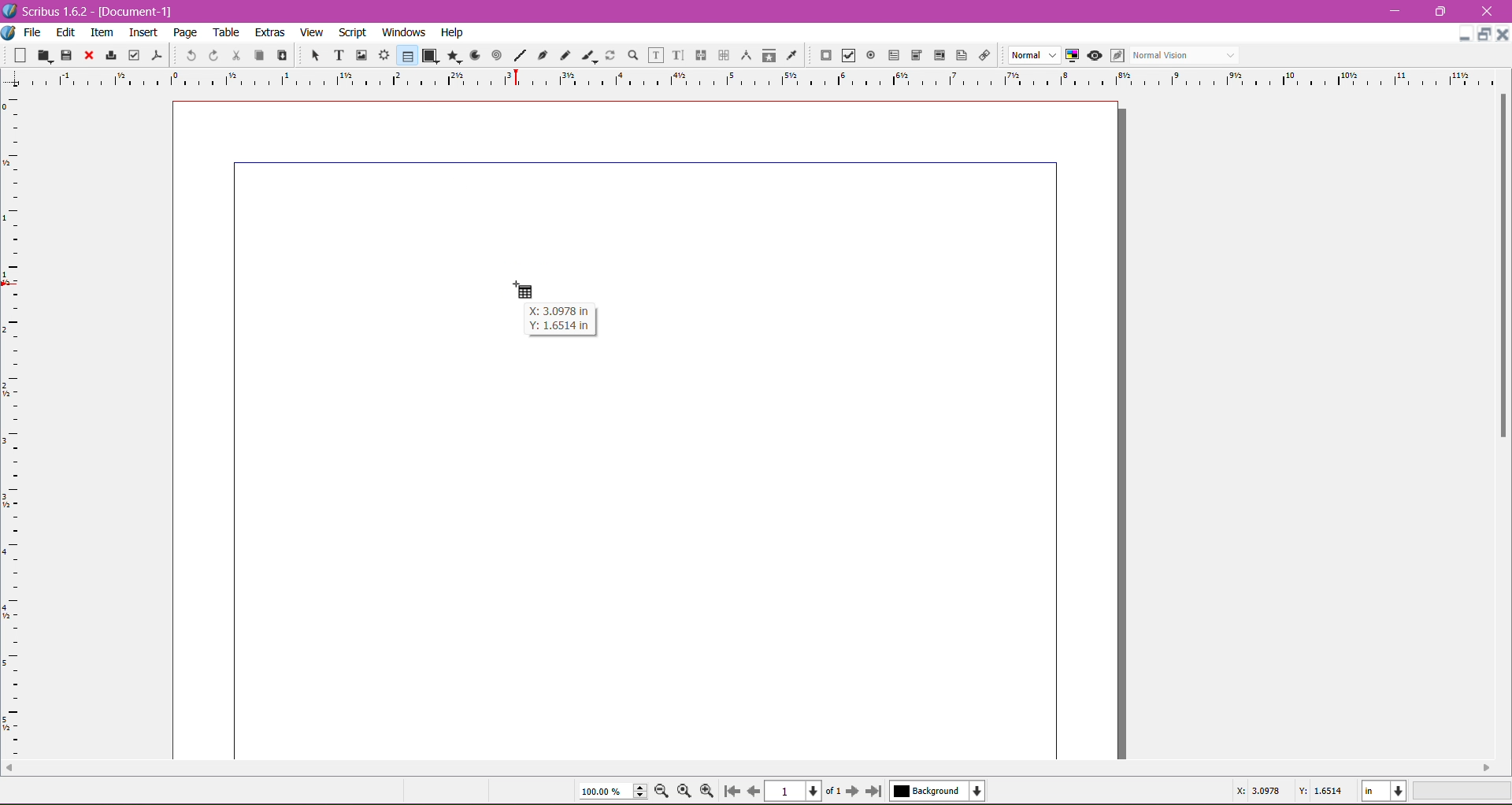 The width and height of the screenshot is (1512, 805). I want to click on scroll bar, so click(1503, 426).